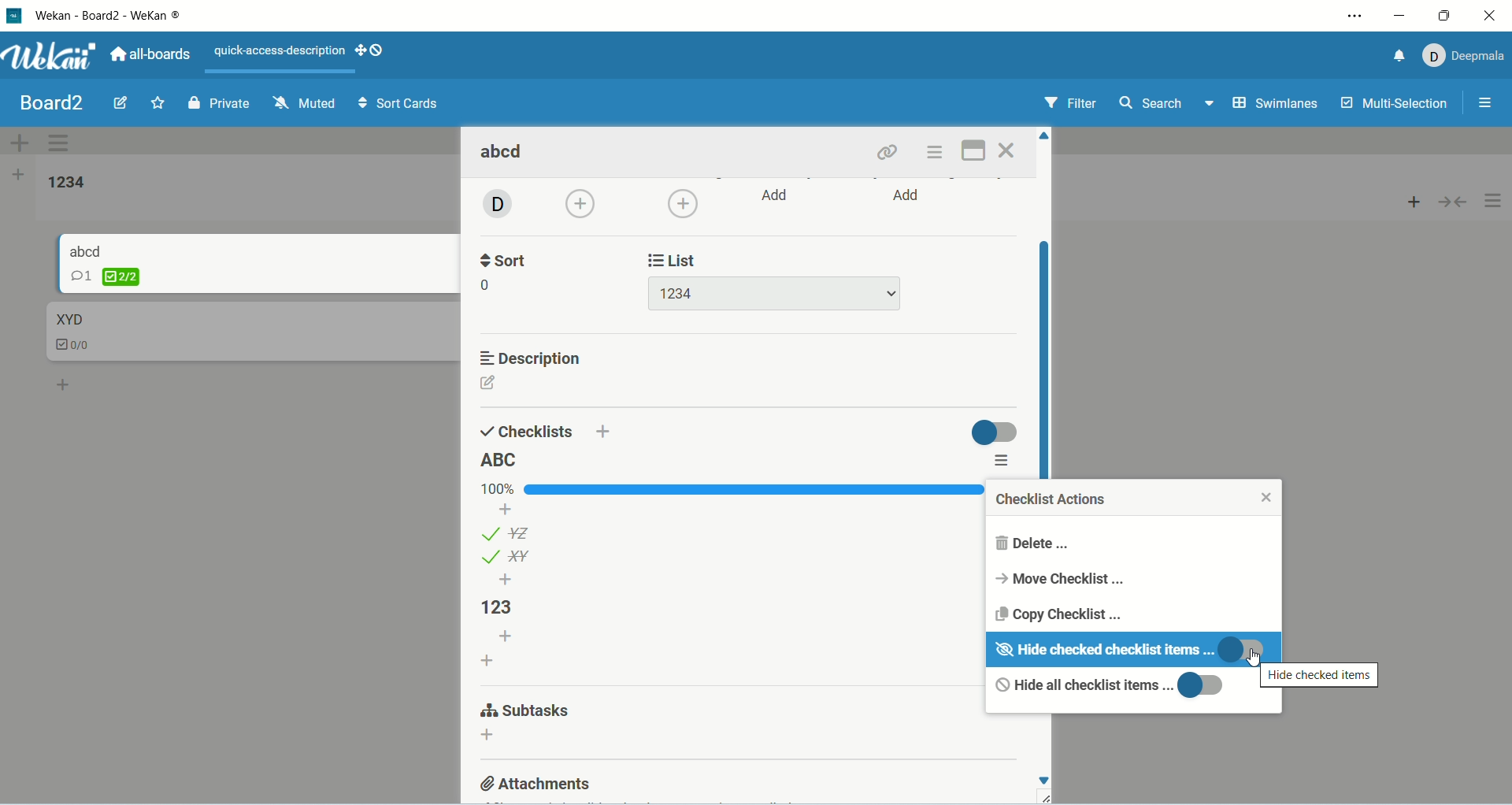 The height and width of the screenshot is (805, 1512). What do you see at coordinates (216, 106) in the screenshot?
I see `private` at bounding box center [216, 106].